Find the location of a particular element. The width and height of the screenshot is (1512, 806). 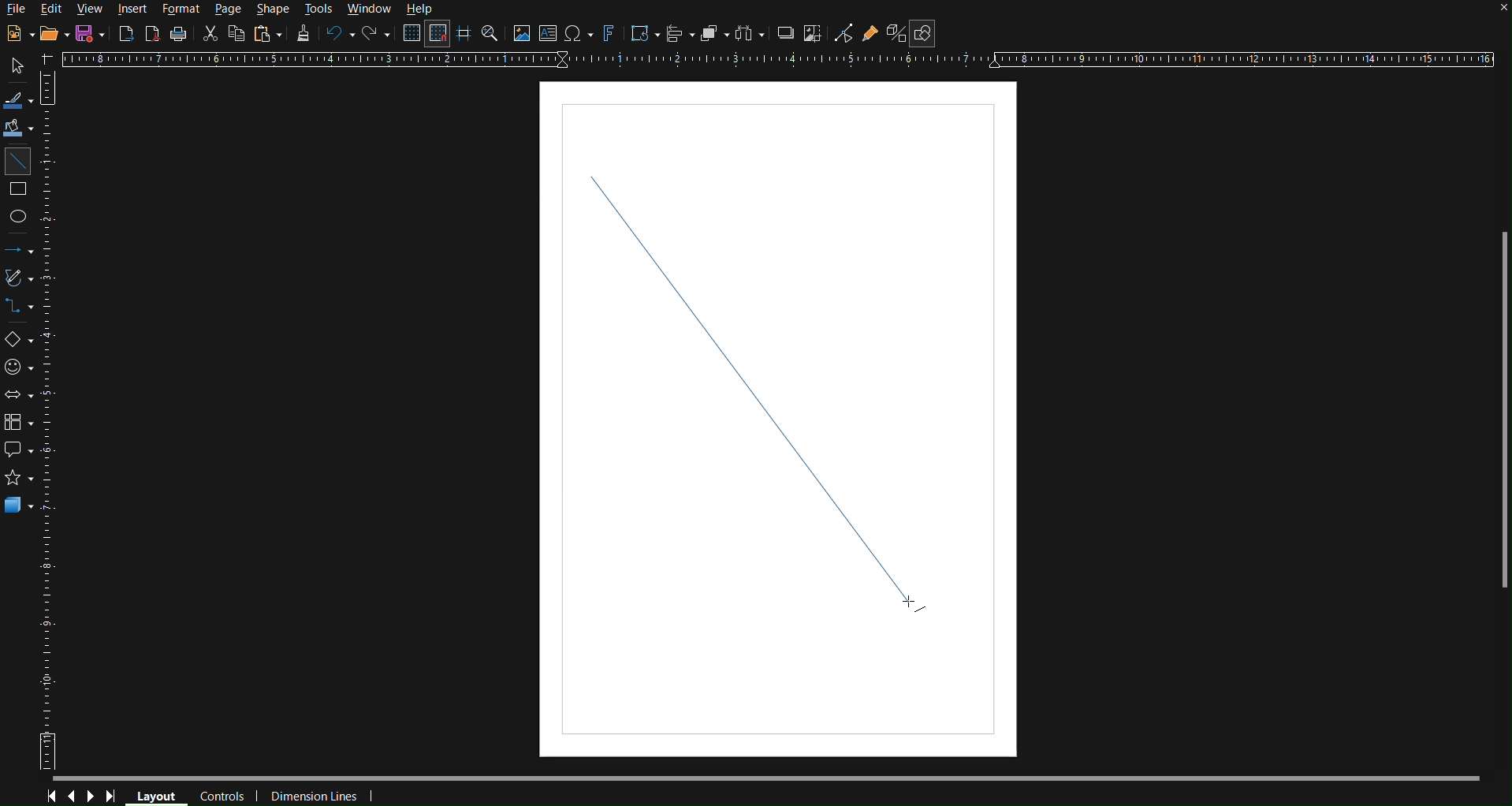

Shadow is located at coordinates (785, 32).